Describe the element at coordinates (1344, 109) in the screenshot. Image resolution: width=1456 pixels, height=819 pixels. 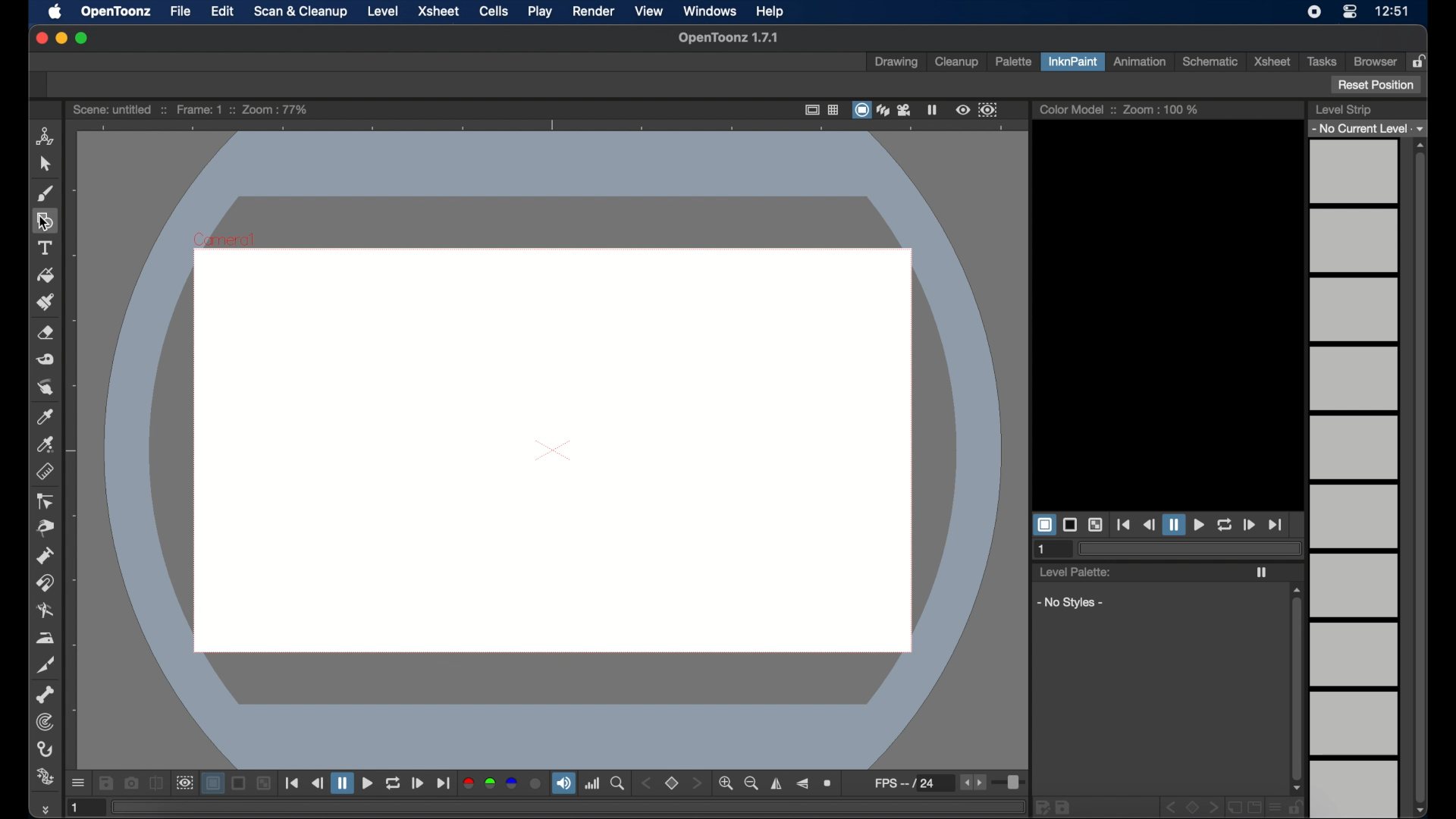
I see `level strip` at that location.